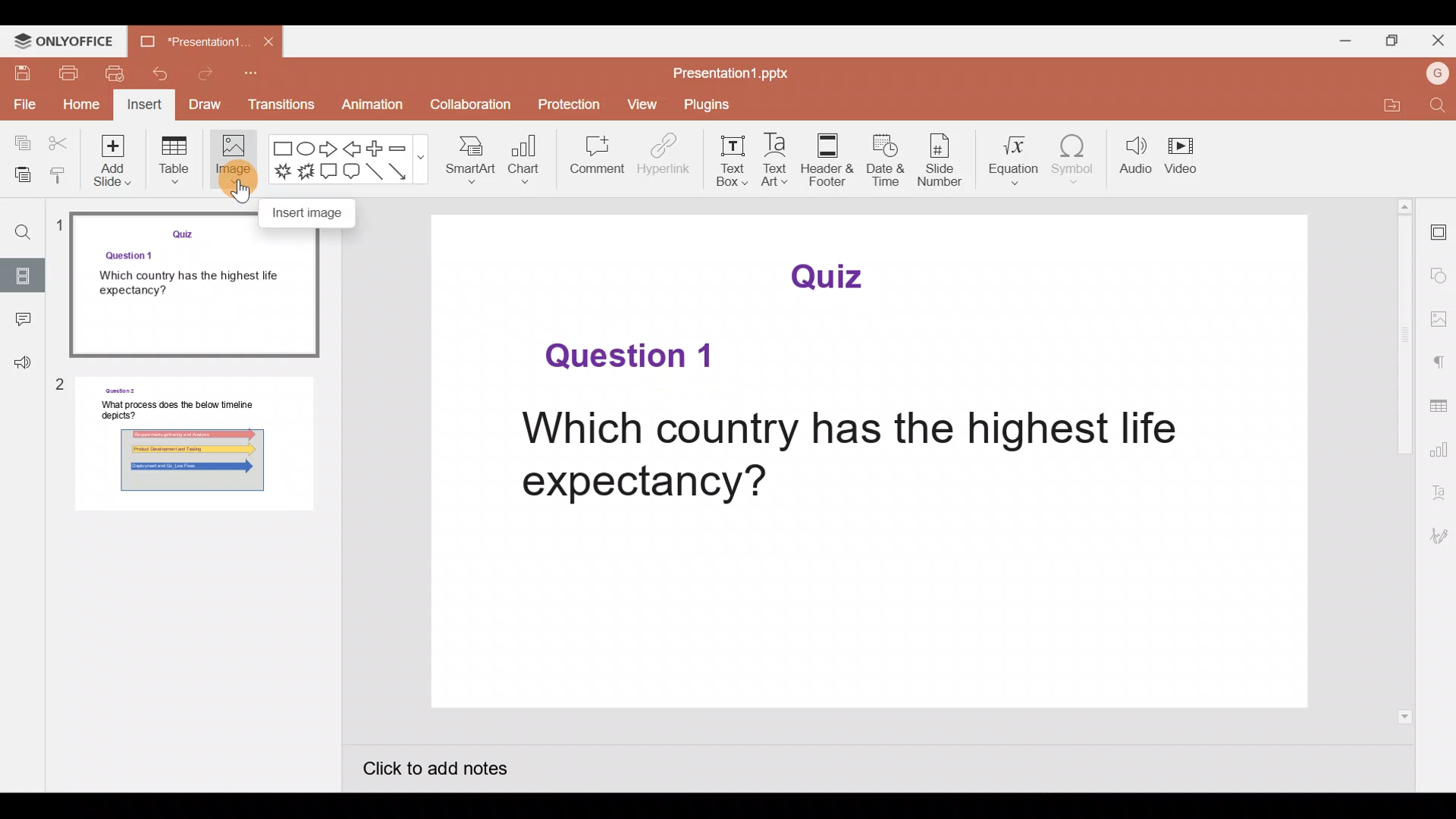 The width and height of the screenshot is (1456, 819). Describe the element at coordinates (355, 173) in the screenshot. I see `Rounded Rectangular callout` at that location.